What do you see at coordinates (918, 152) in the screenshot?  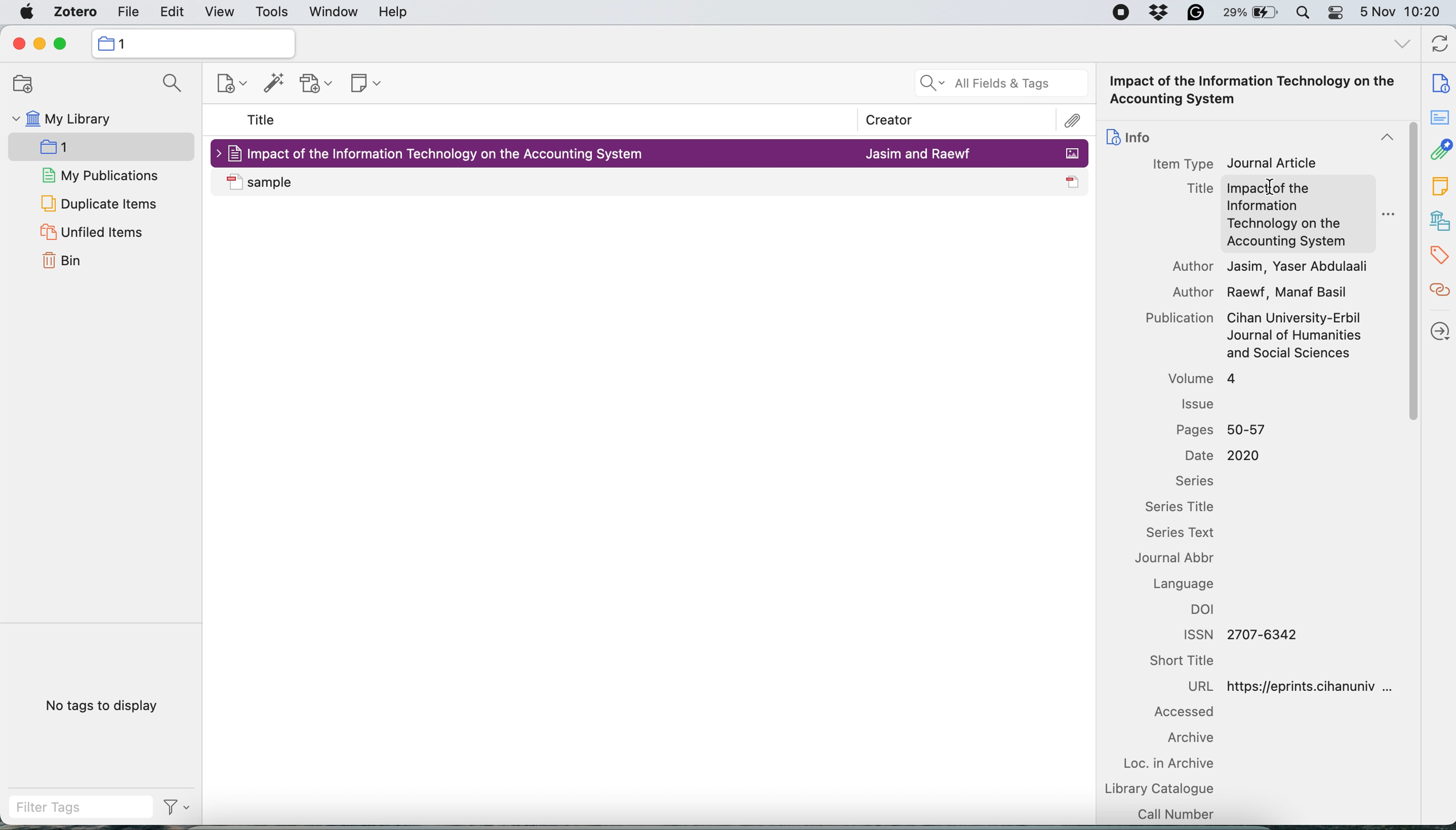 I see `Jasim and Raewf` at bounding box center [918, 152].